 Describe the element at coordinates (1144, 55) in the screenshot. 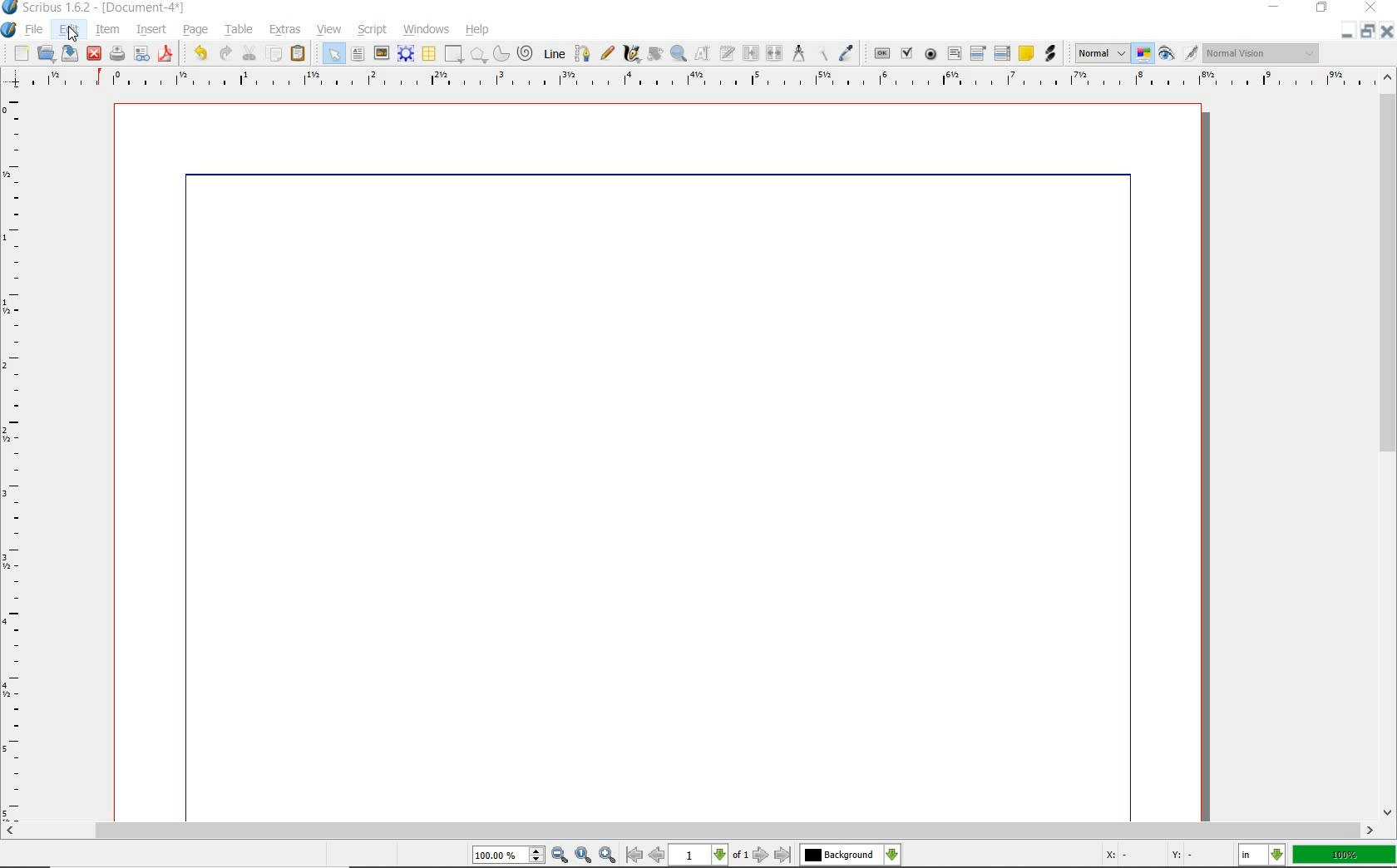

I see `toggle color management` at that location.